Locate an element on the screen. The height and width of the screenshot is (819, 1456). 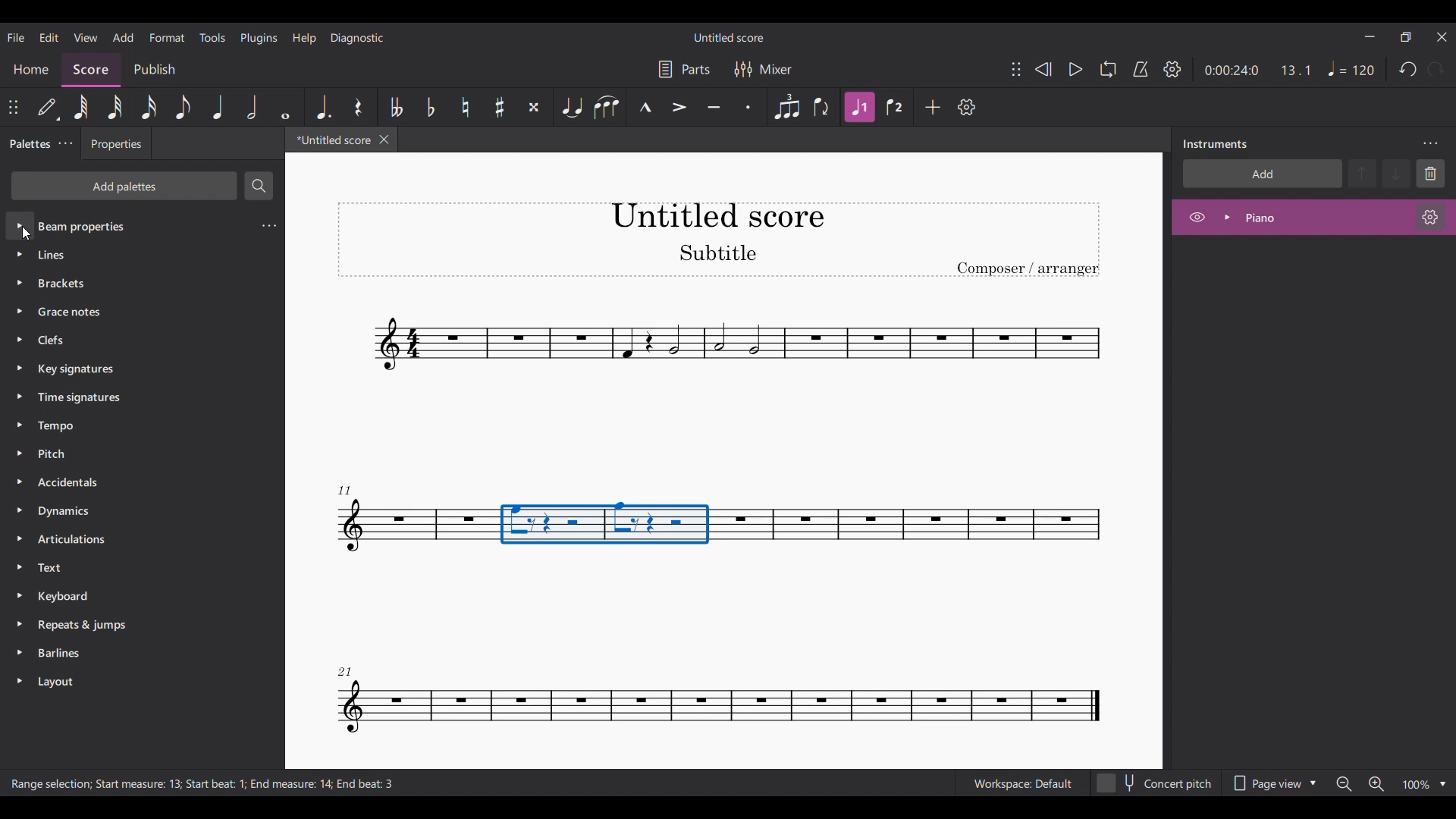
Format menu is located at coordinates (167, 37).